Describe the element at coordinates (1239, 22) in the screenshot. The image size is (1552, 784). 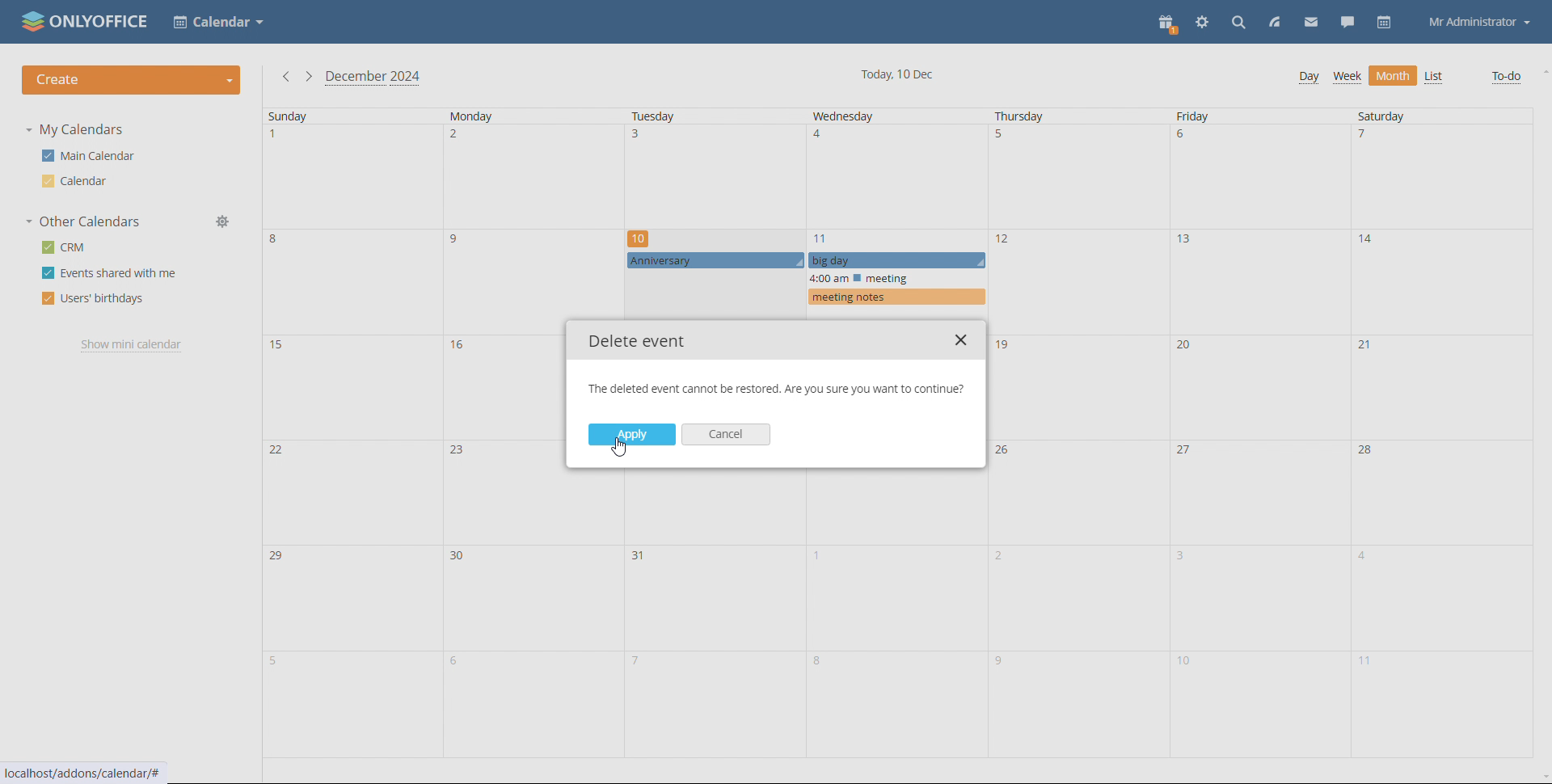
I see `search` at that location.